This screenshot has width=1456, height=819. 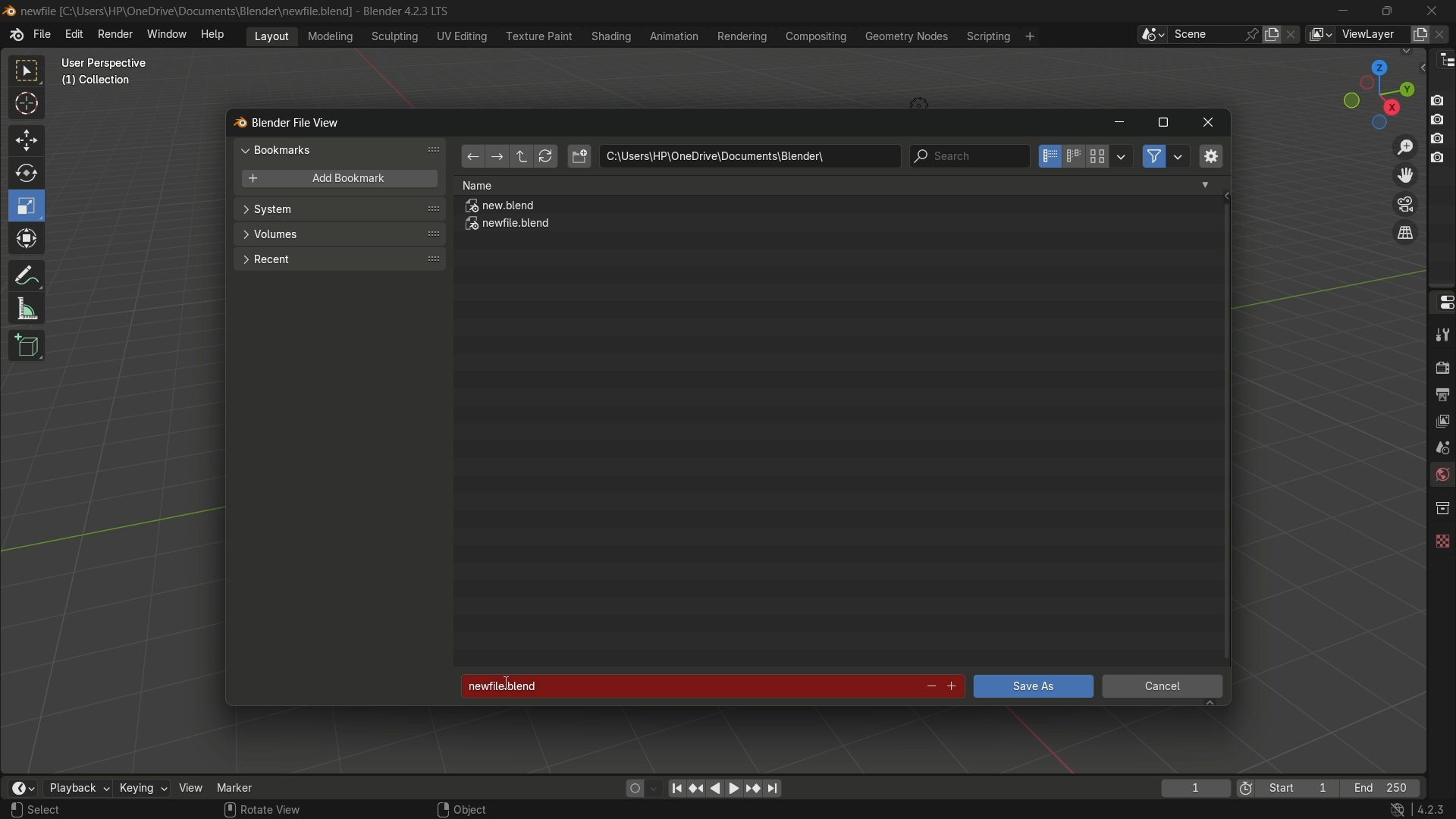 What do you see at coordinates (115, 33) in the screenshot?
I see `render menu` at bounding box center [115, 33].